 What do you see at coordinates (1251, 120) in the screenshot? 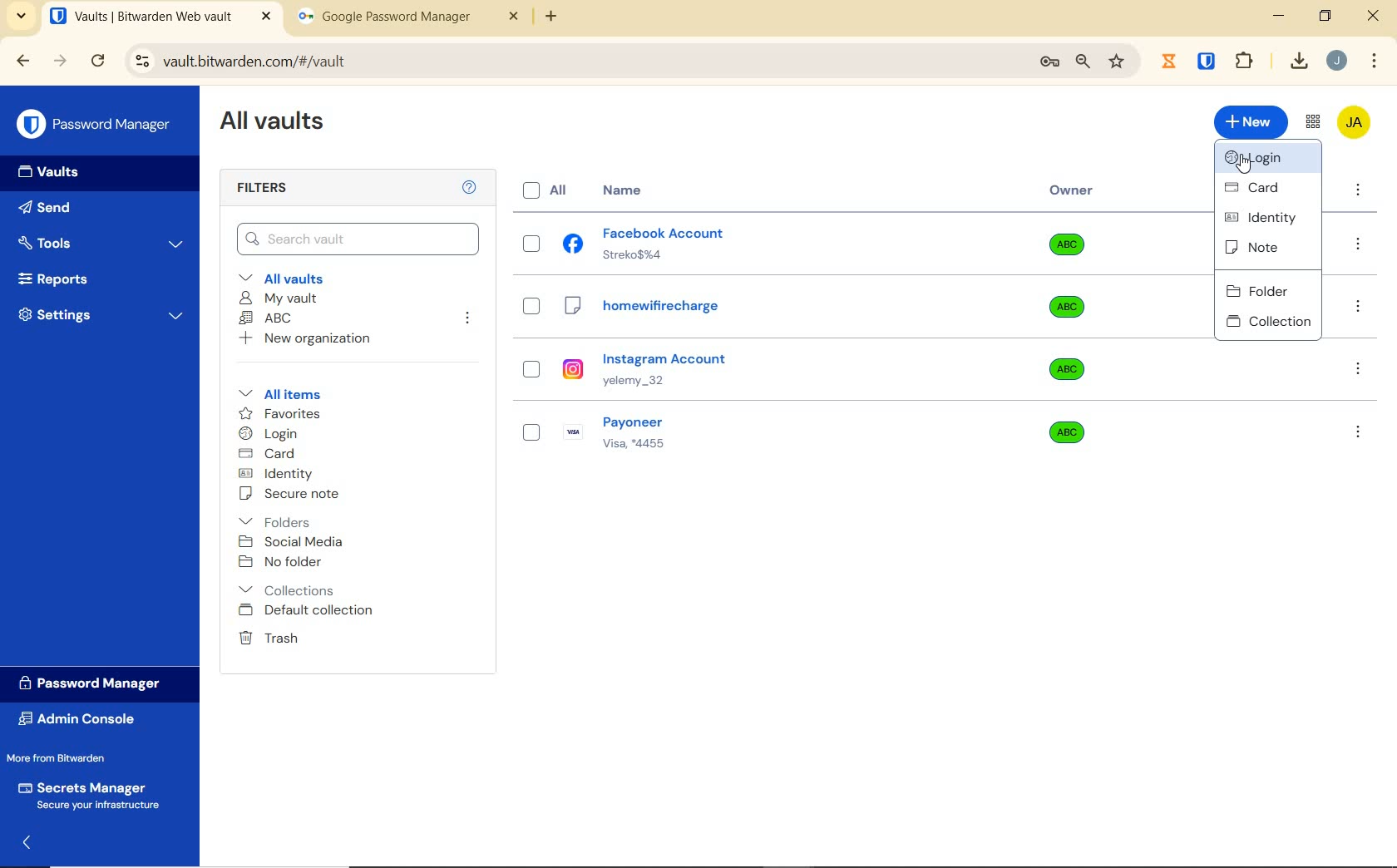
I see `New` at bounding box center [1251, 120].